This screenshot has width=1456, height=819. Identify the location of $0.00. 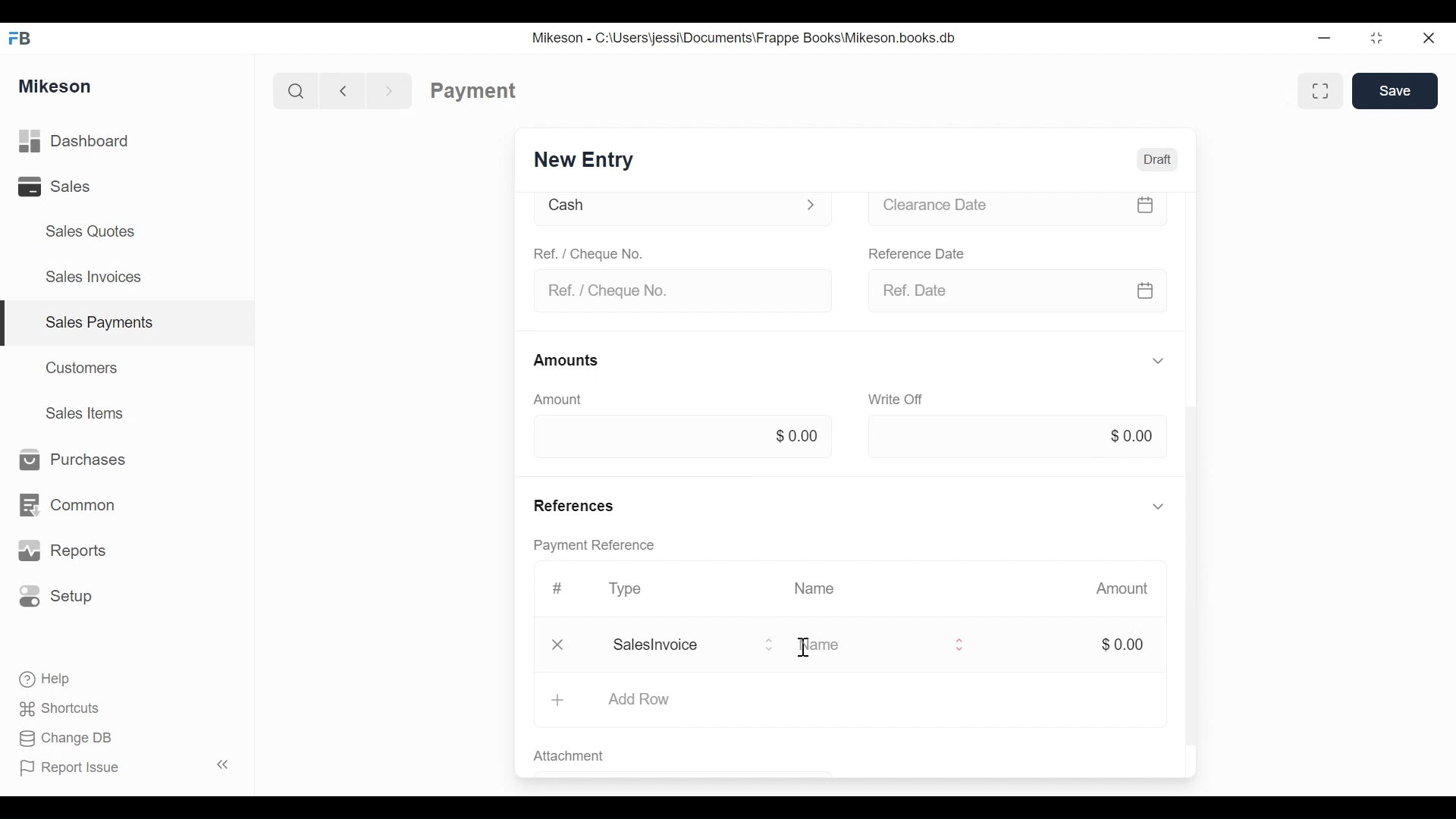
(1136, 435).